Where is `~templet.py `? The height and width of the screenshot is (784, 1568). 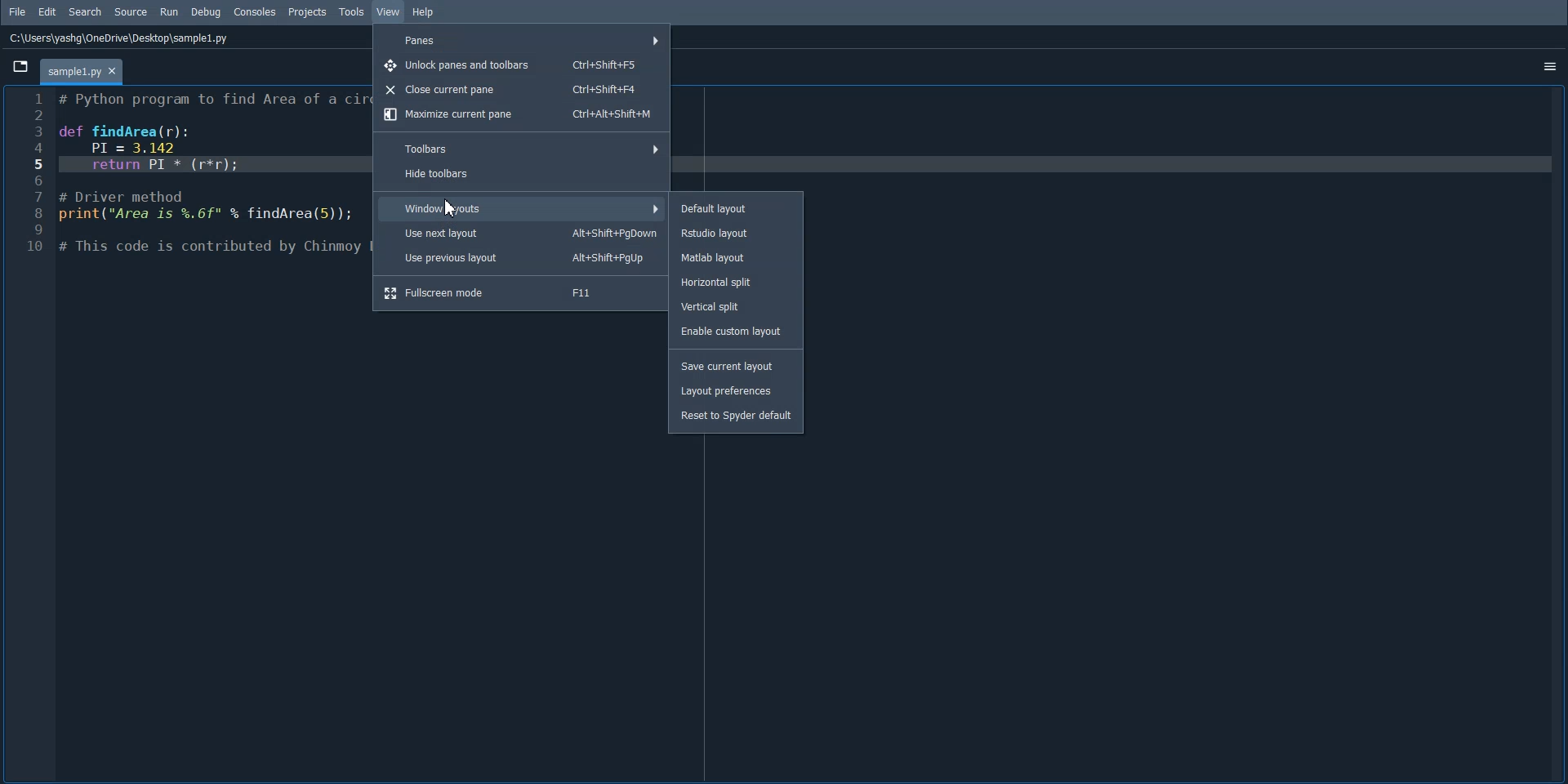 ~templet.py  is located at coordinates (74, 70).